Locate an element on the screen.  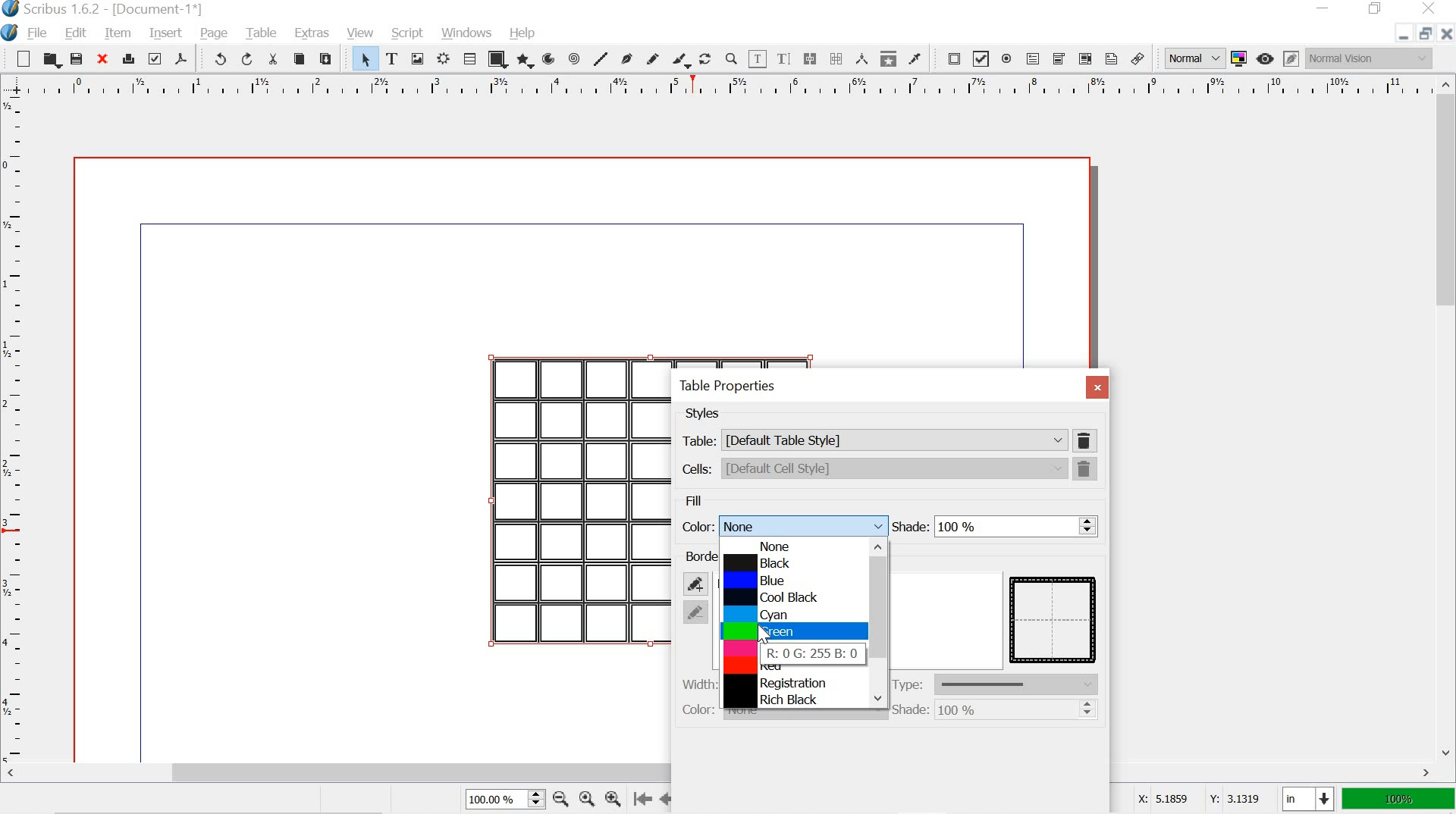
blue is located at coordinates (766, 582).